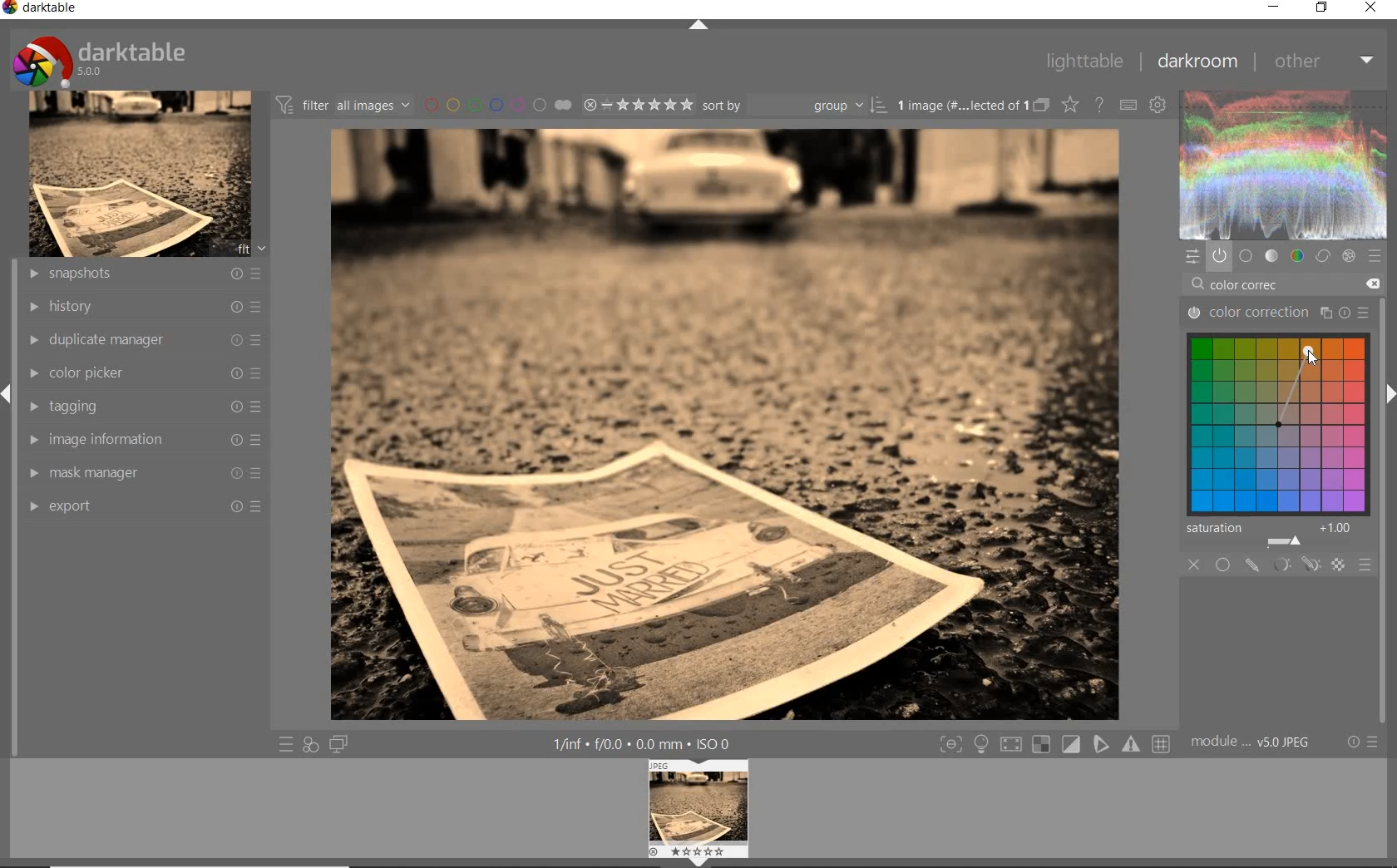 The height and width of the screenshot is (868, 1397). Describe the element at coordinates (142, 409) in the screenshot. I see `tagging` at that location.